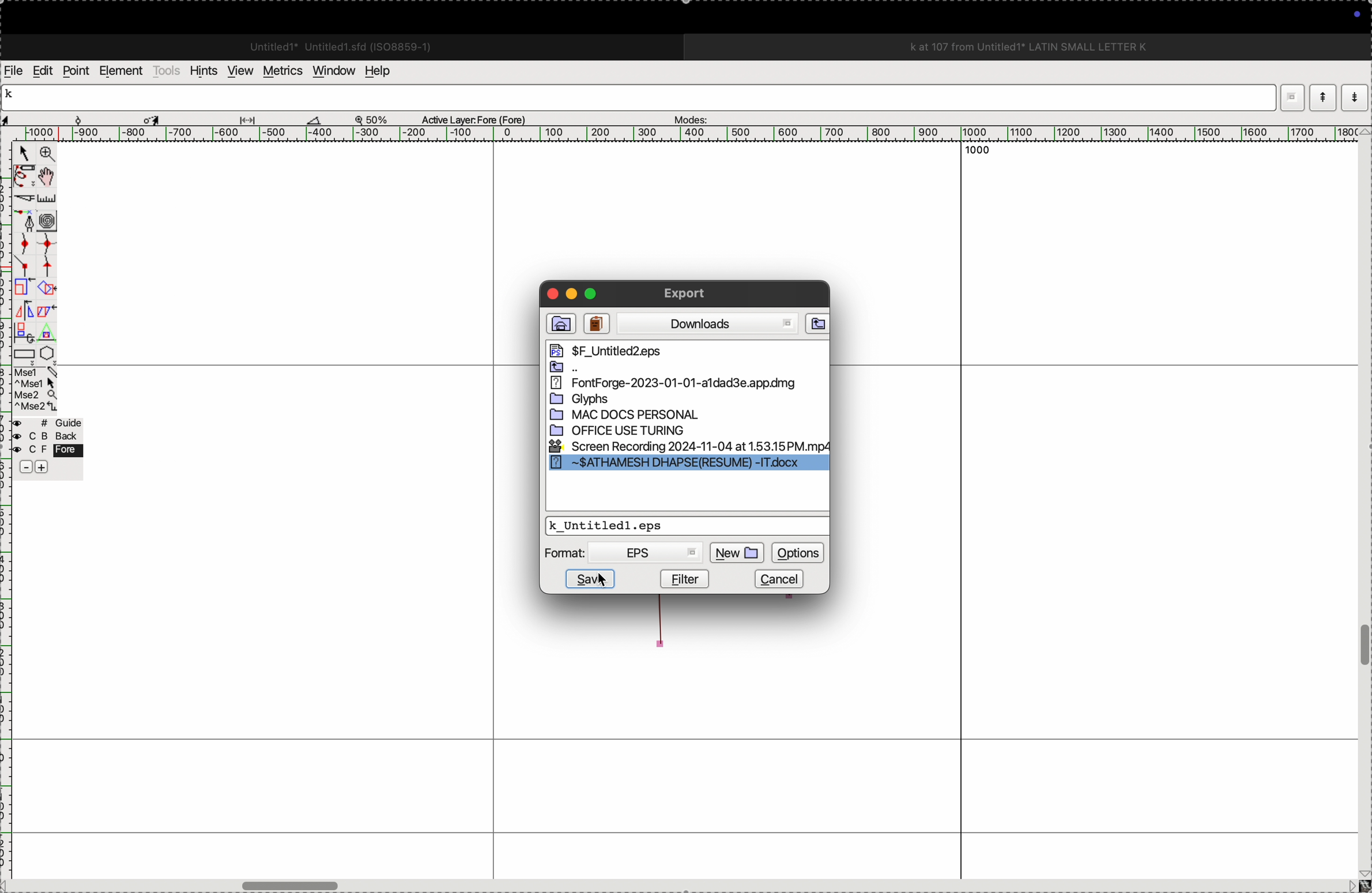  Describe the element at coordinates (738, 552) in the screenshot. I see `new` at that location.